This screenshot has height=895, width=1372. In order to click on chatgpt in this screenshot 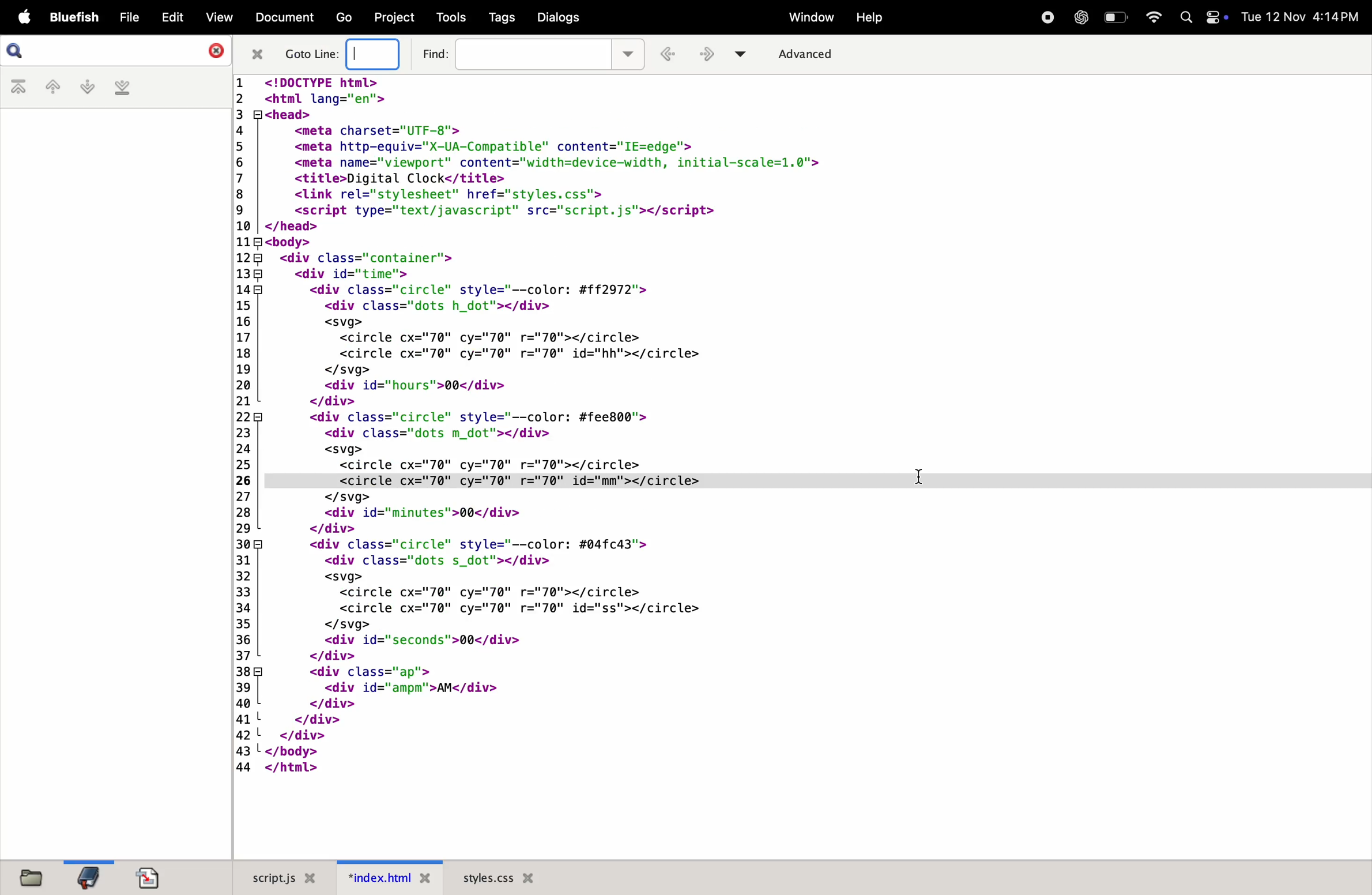, I will do `click(1081, 17)`.